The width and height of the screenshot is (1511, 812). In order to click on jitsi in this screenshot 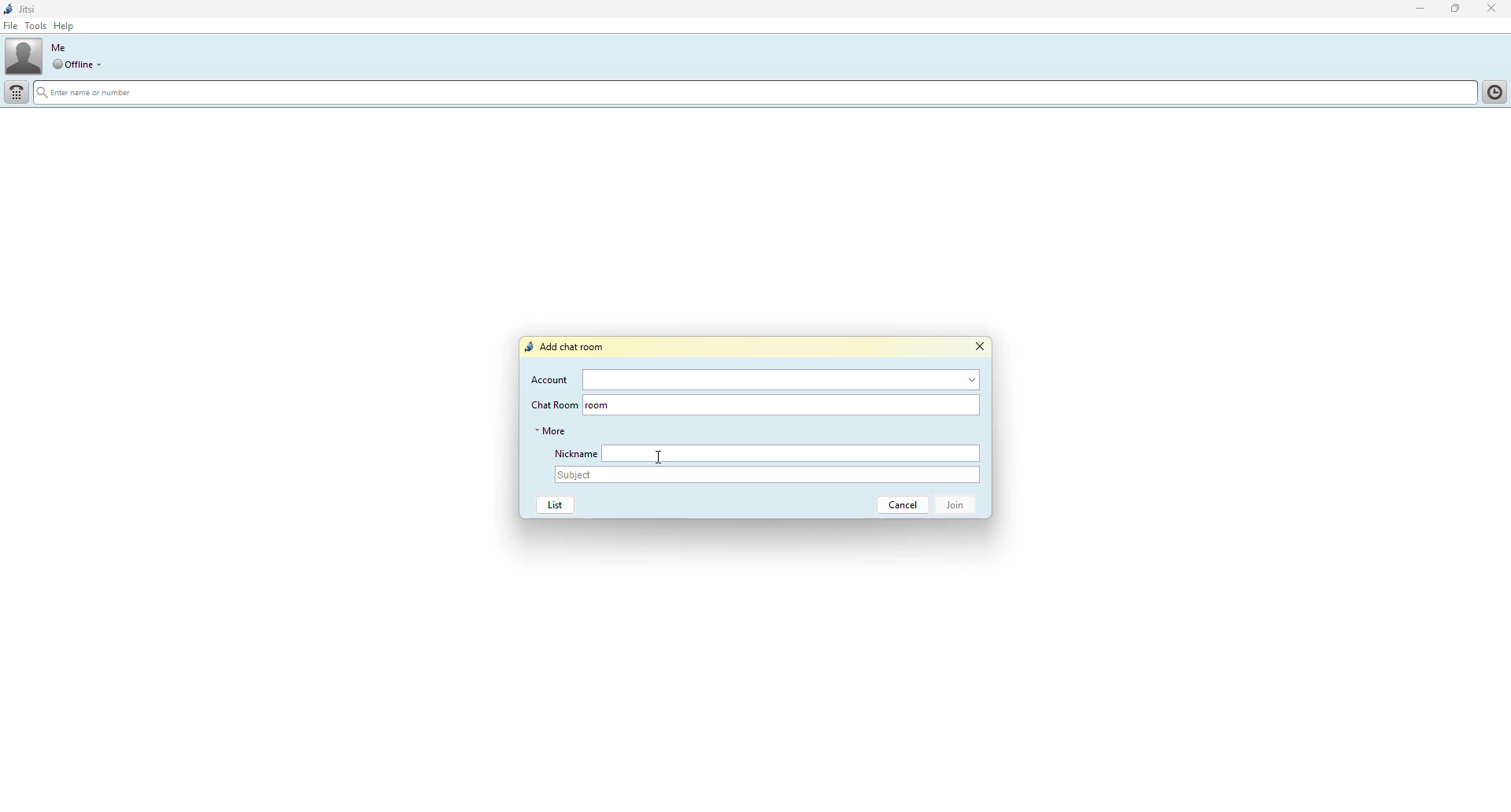, I will do `click(31, 9)`.